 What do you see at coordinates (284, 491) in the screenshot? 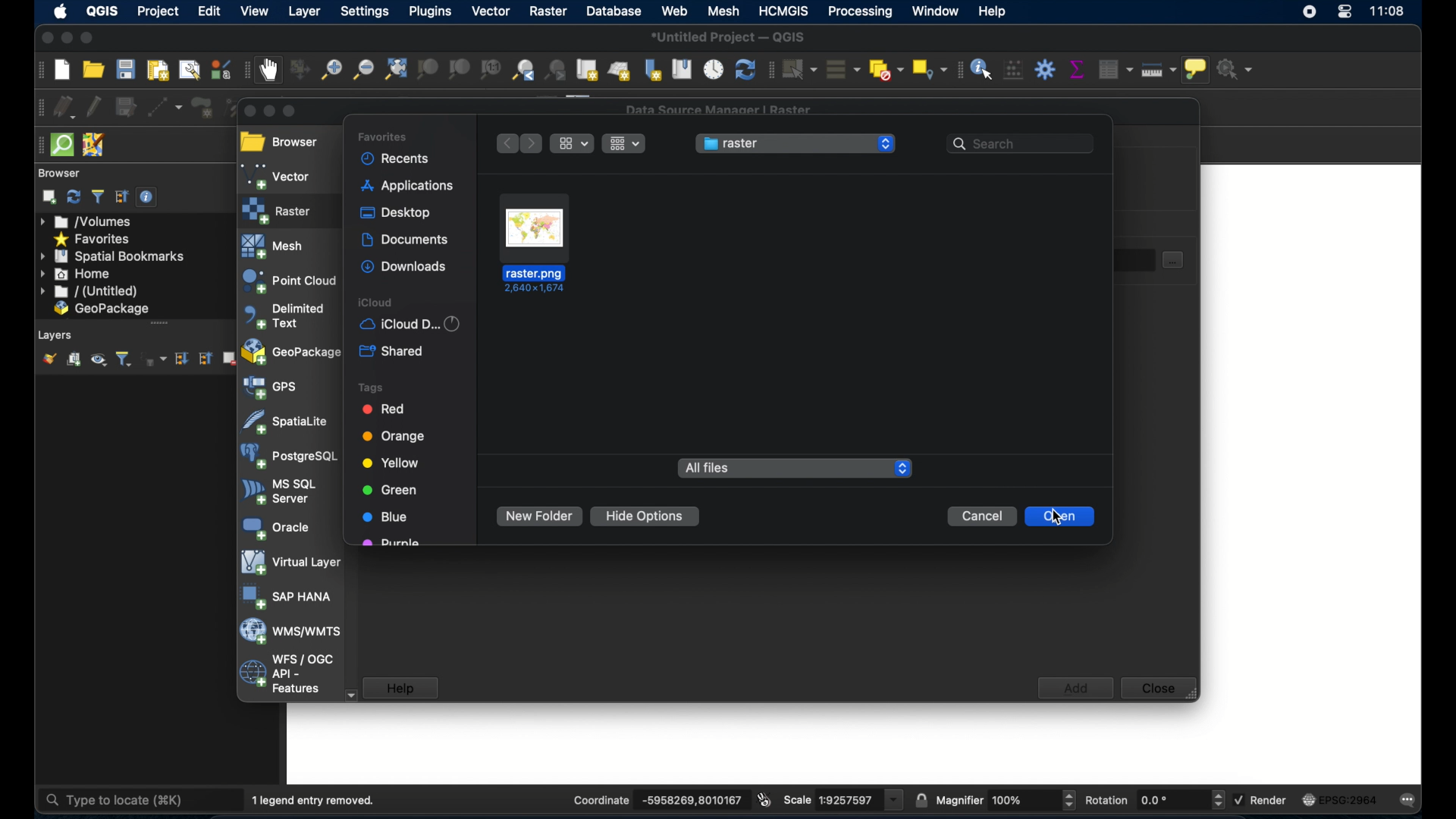
I see `ms sql server` at bounding box center [284, 491].